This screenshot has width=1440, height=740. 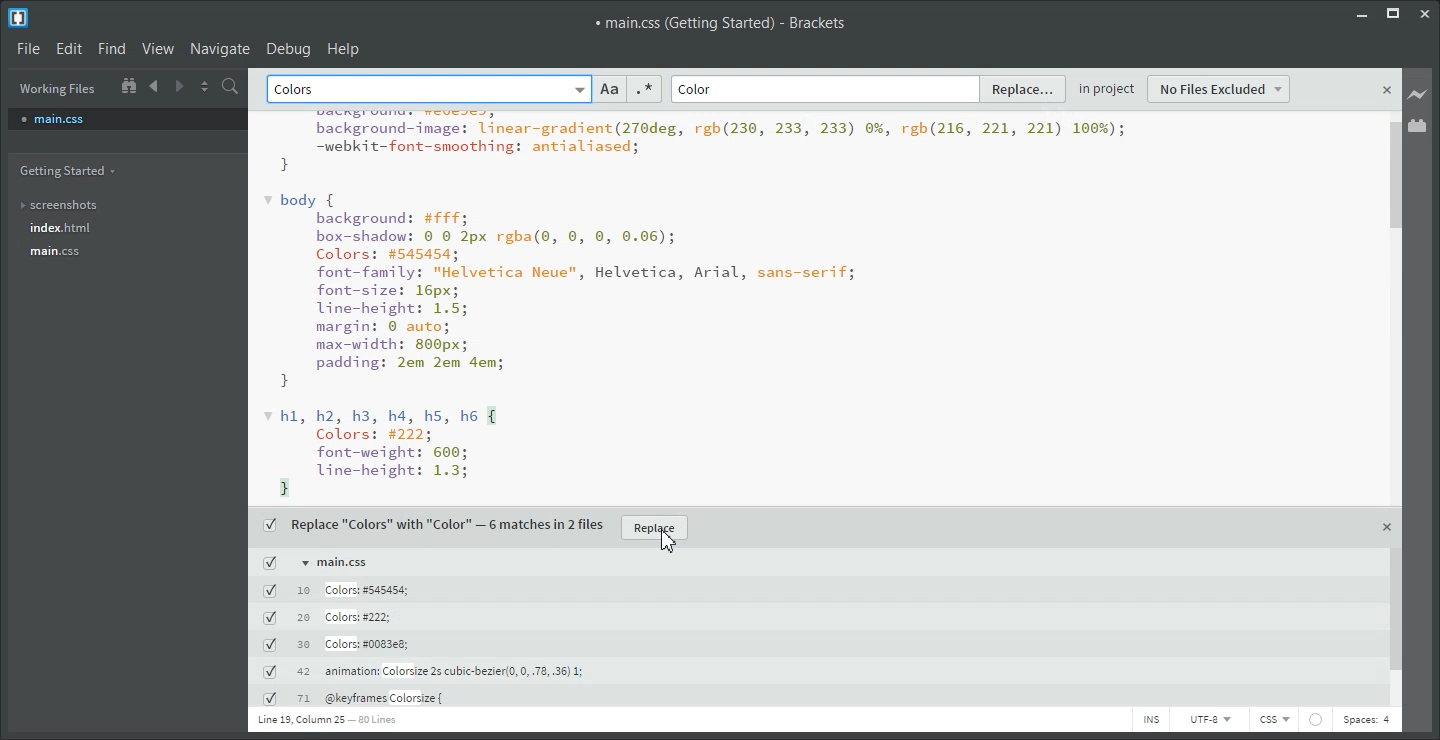 I want to click on main.css (Getting Started) - Brackets, so click(x=723, y=22).